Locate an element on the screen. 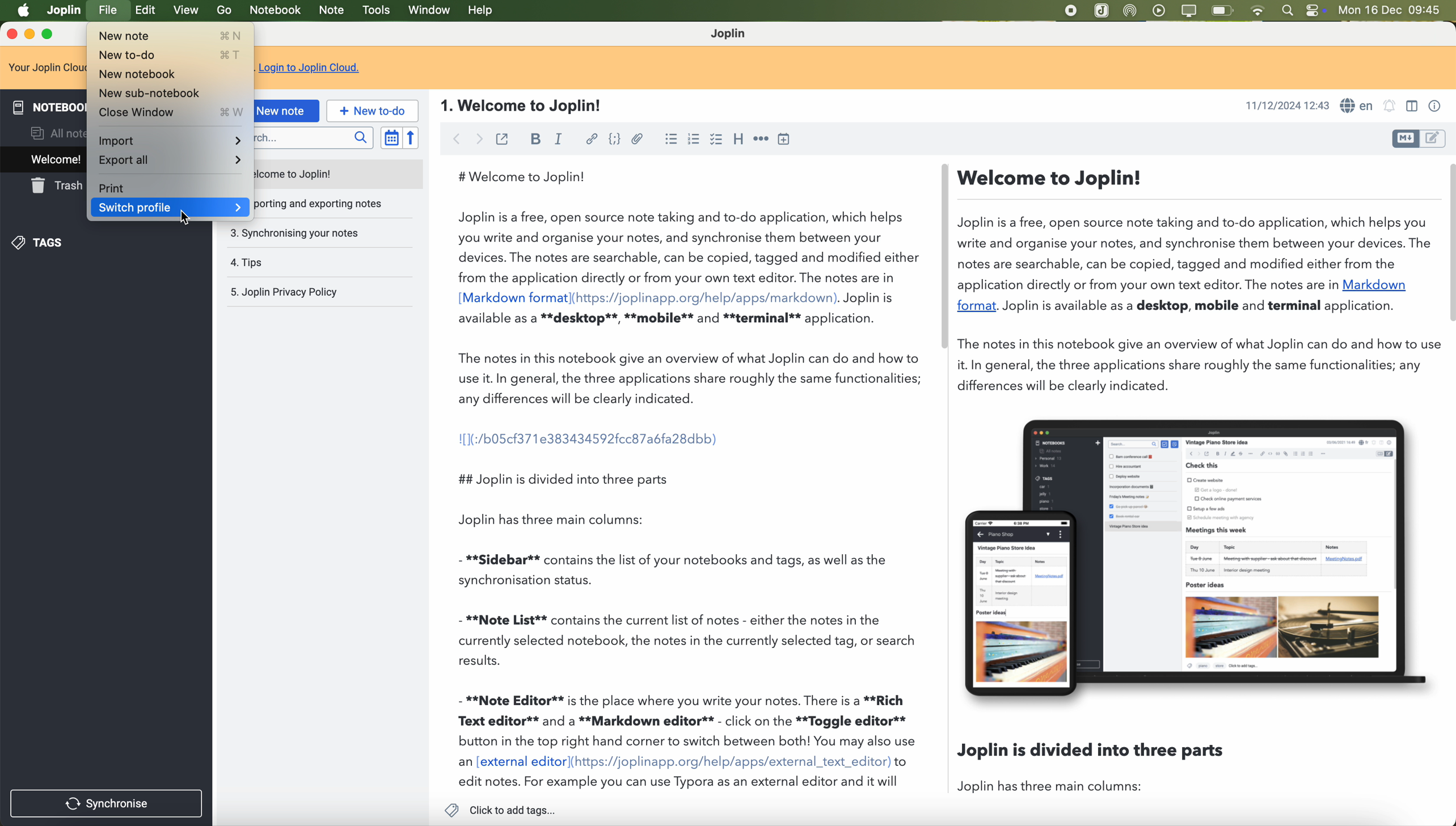 The height and width of the screenshot is (826, 1456). insert time is located at coordinates (783, 139).